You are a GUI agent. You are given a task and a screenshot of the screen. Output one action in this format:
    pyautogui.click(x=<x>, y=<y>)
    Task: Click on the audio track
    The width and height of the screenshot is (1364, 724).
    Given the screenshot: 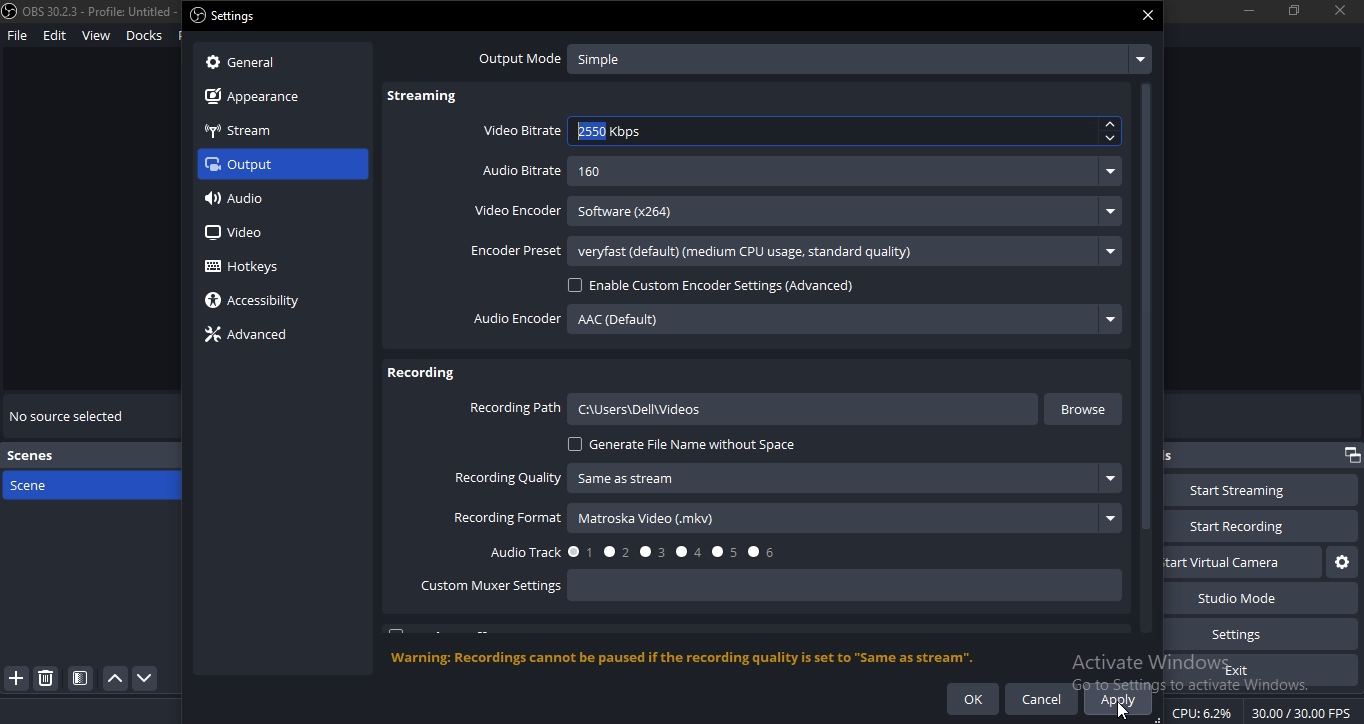 What is the action you would take?
    pyautogui.click(x=640, y=552)
    